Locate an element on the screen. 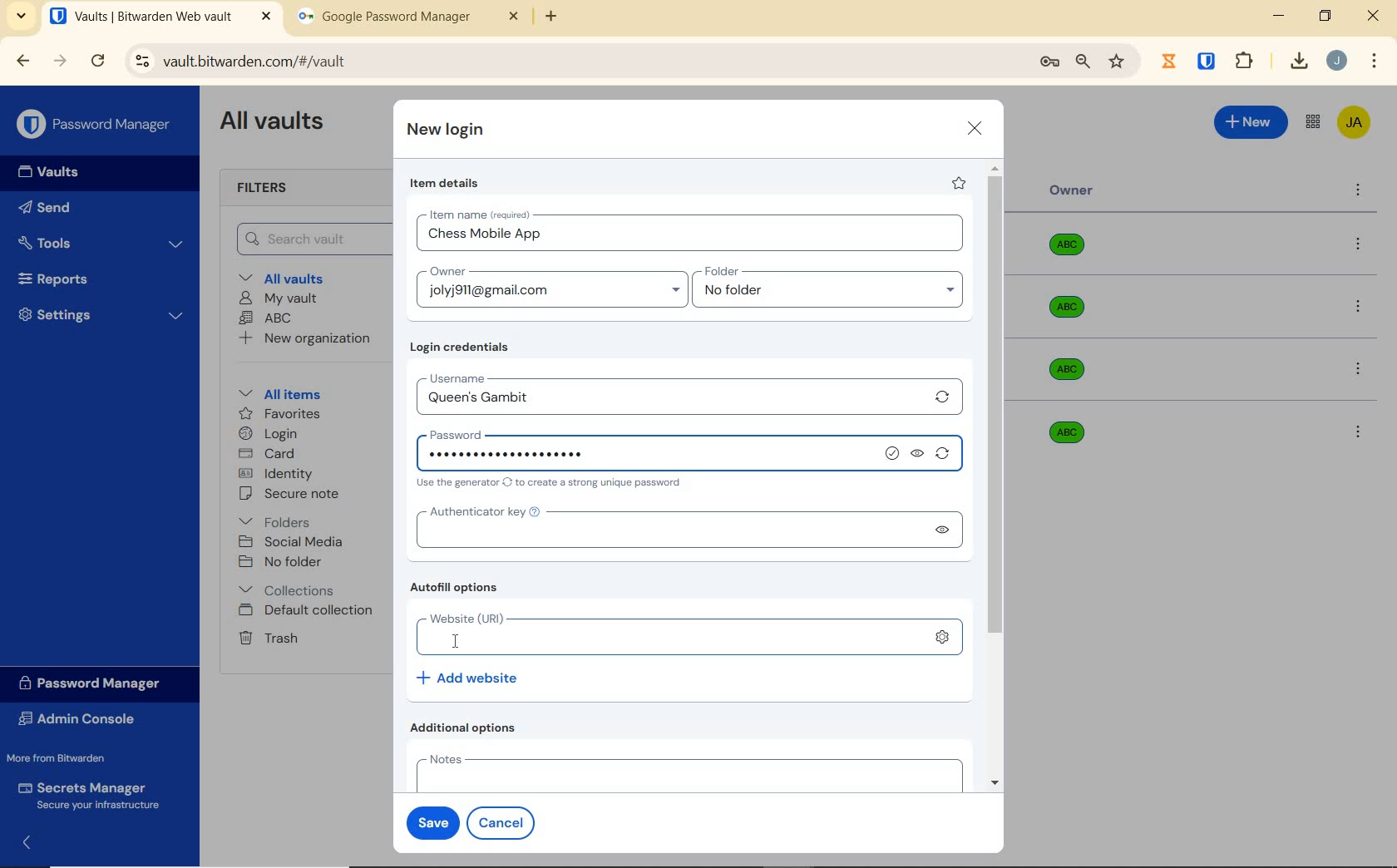 Image resolution: width=1397 pixels, height=868 pixels. login name is located at coordinates (694, 238).